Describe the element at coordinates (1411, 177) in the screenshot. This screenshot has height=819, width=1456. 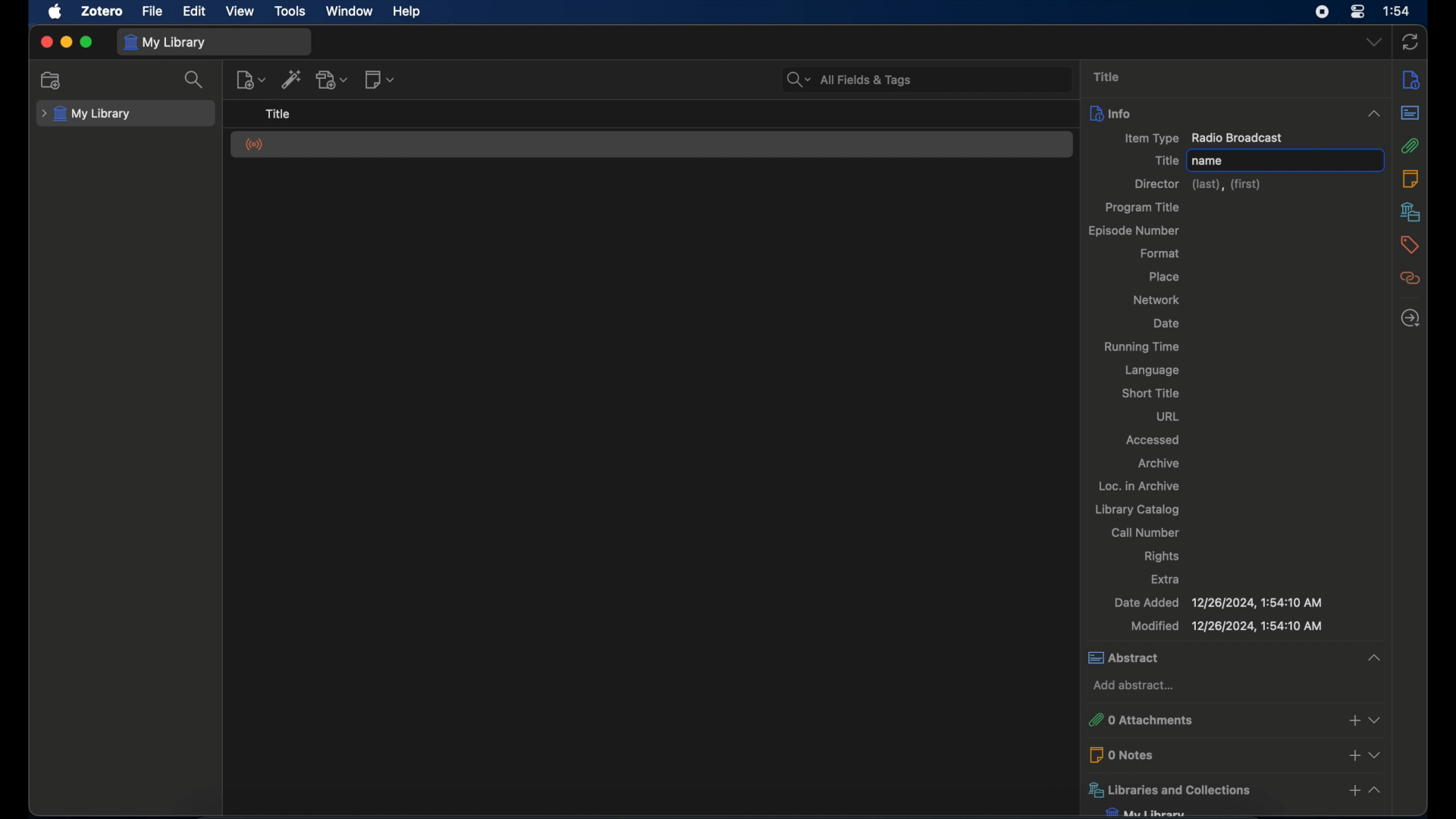
I see `notes` at that location.